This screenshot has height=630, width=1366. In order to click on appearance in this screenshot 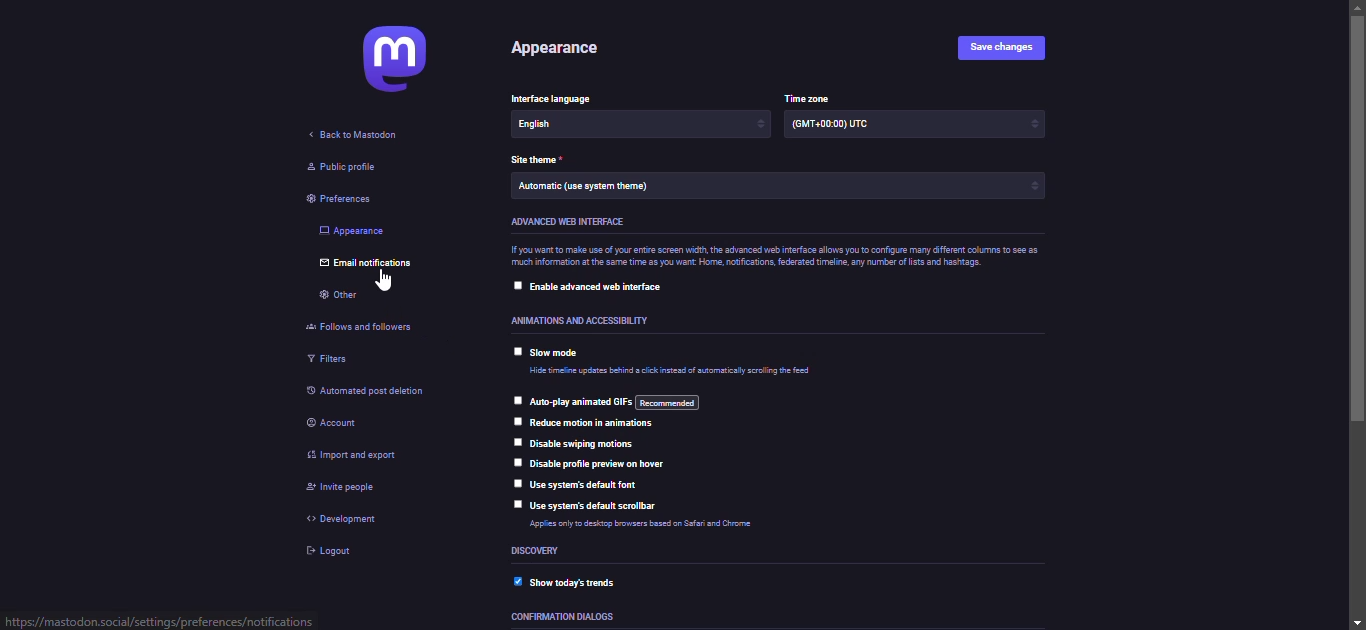, I will do `click(555, 47)`.